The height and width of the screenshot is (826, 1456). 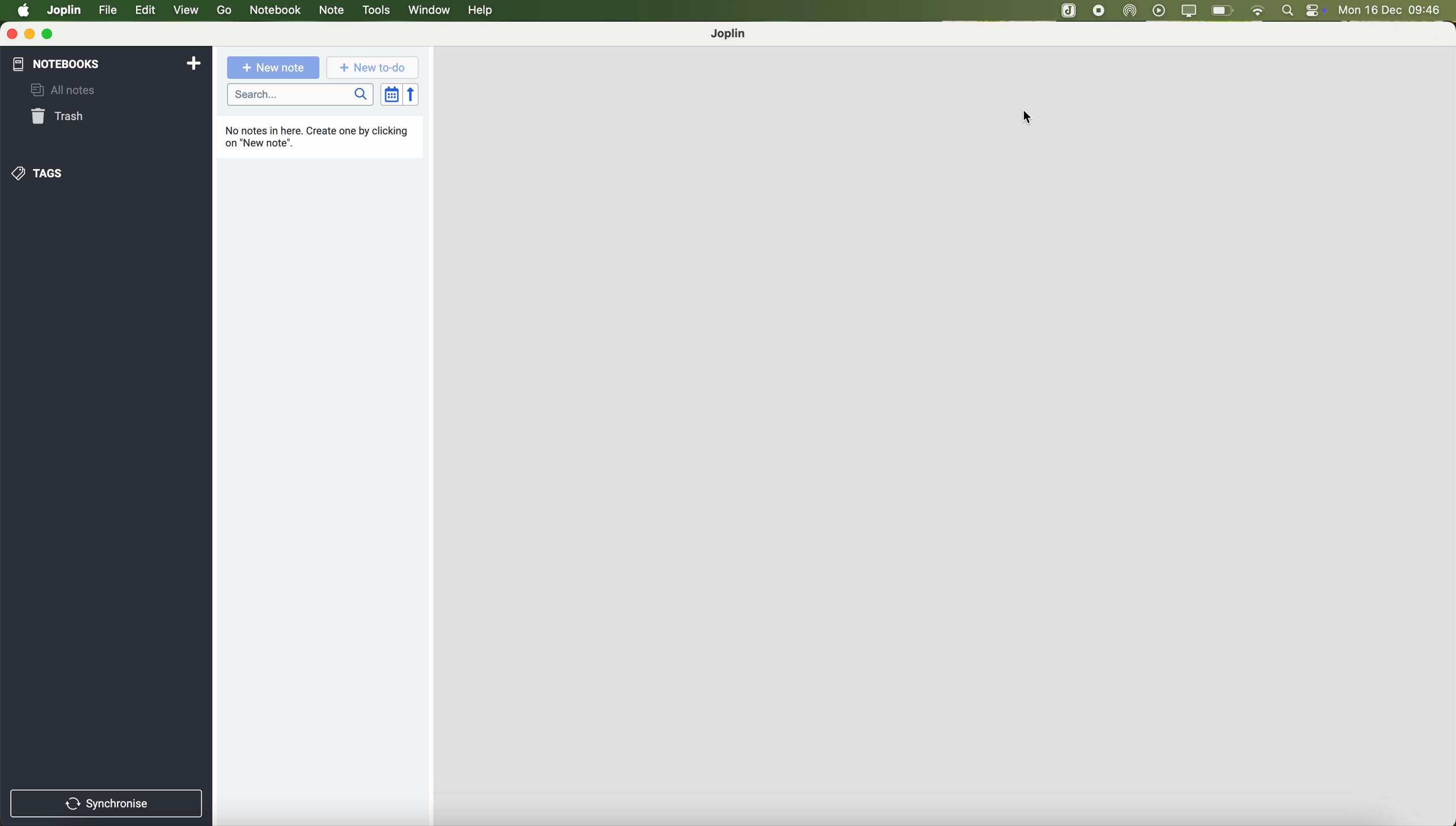 What do you see at coordinates (41, 173) in the screenshot?
I see `tags` at bounding box center [41, 173].